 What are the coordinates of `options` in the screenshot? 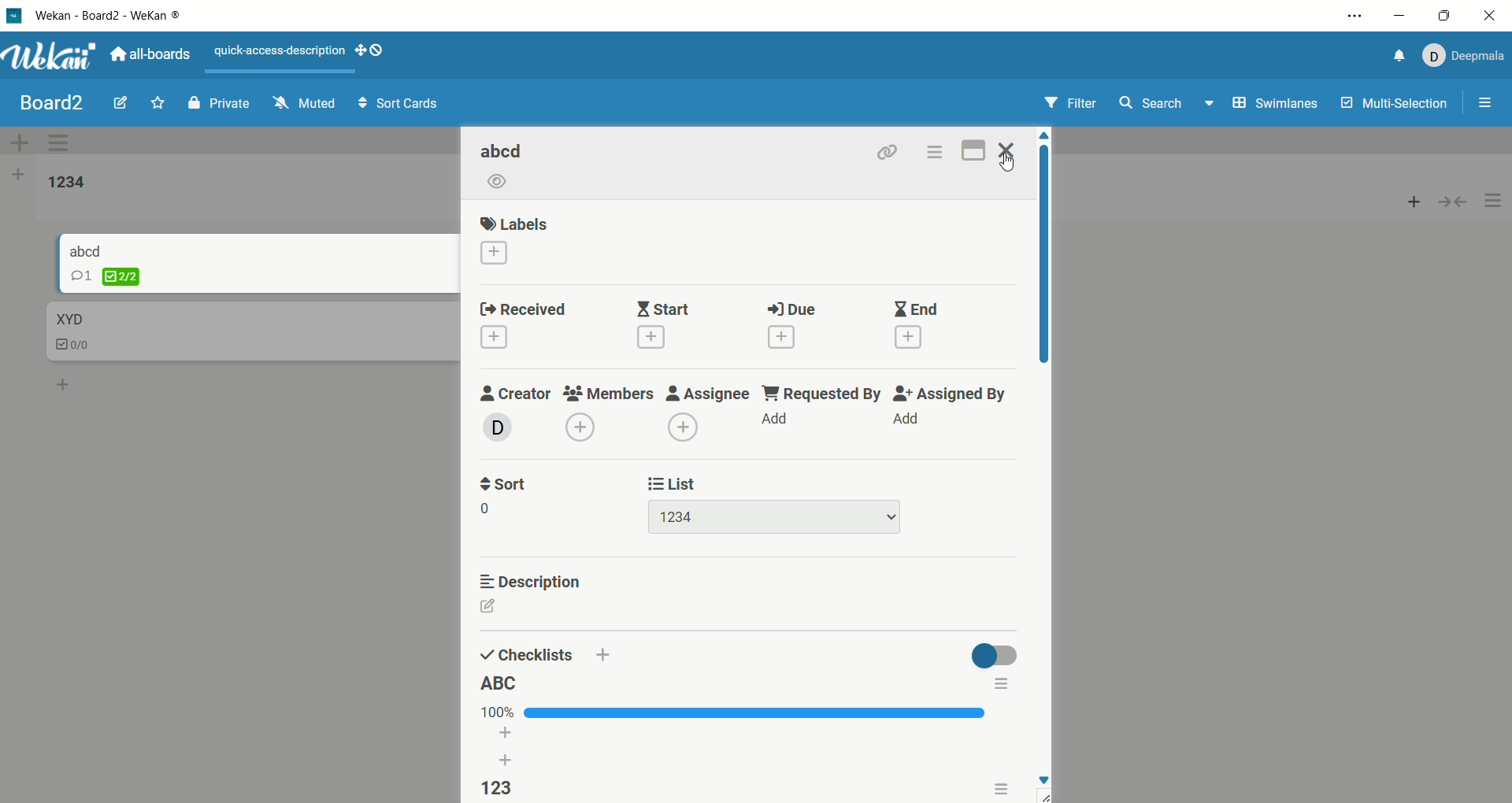 It's located at (1354, 15).